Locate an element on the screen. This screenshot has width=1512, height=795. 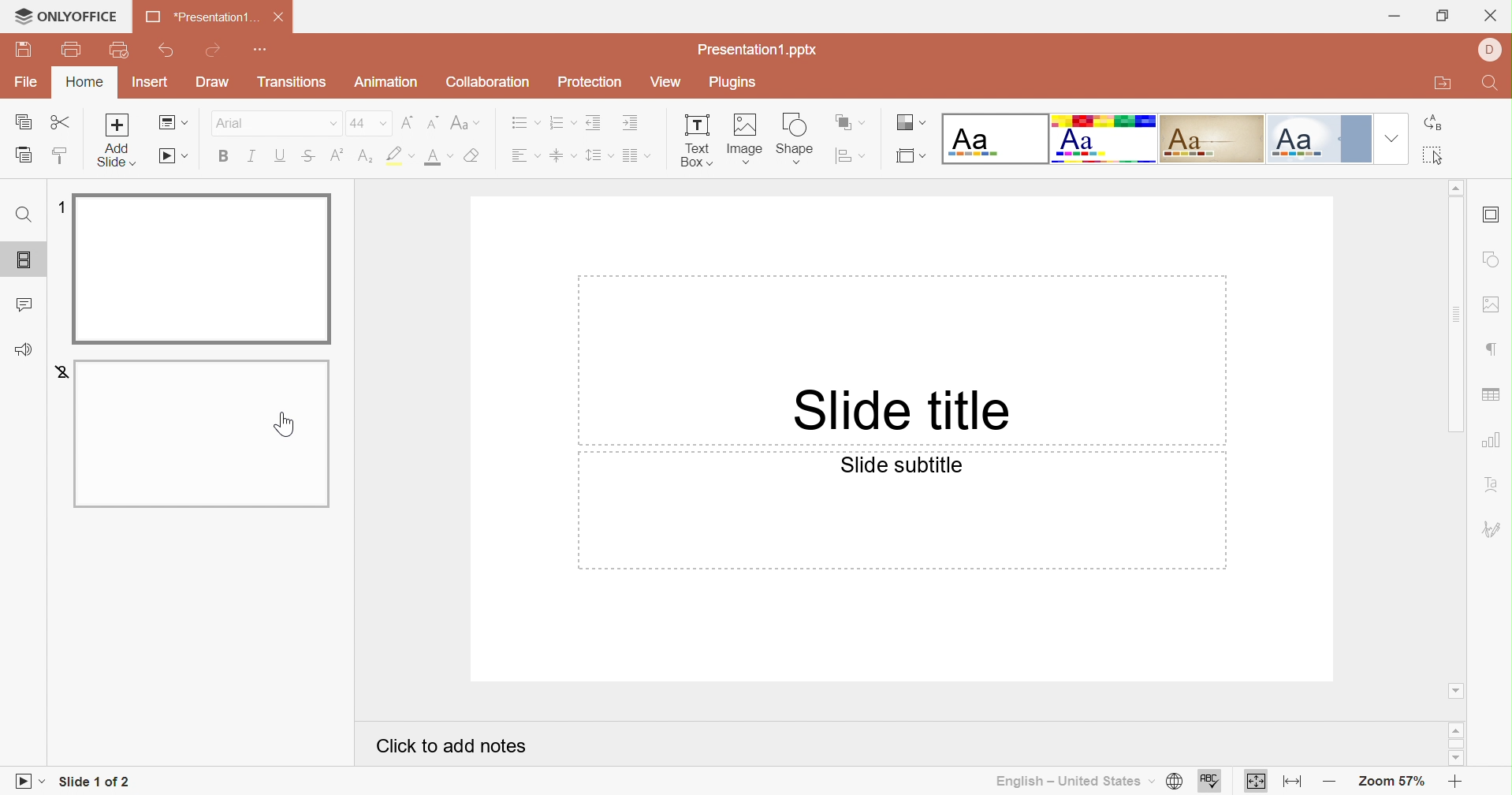
Increase indent is located at coordinates (631, 125).